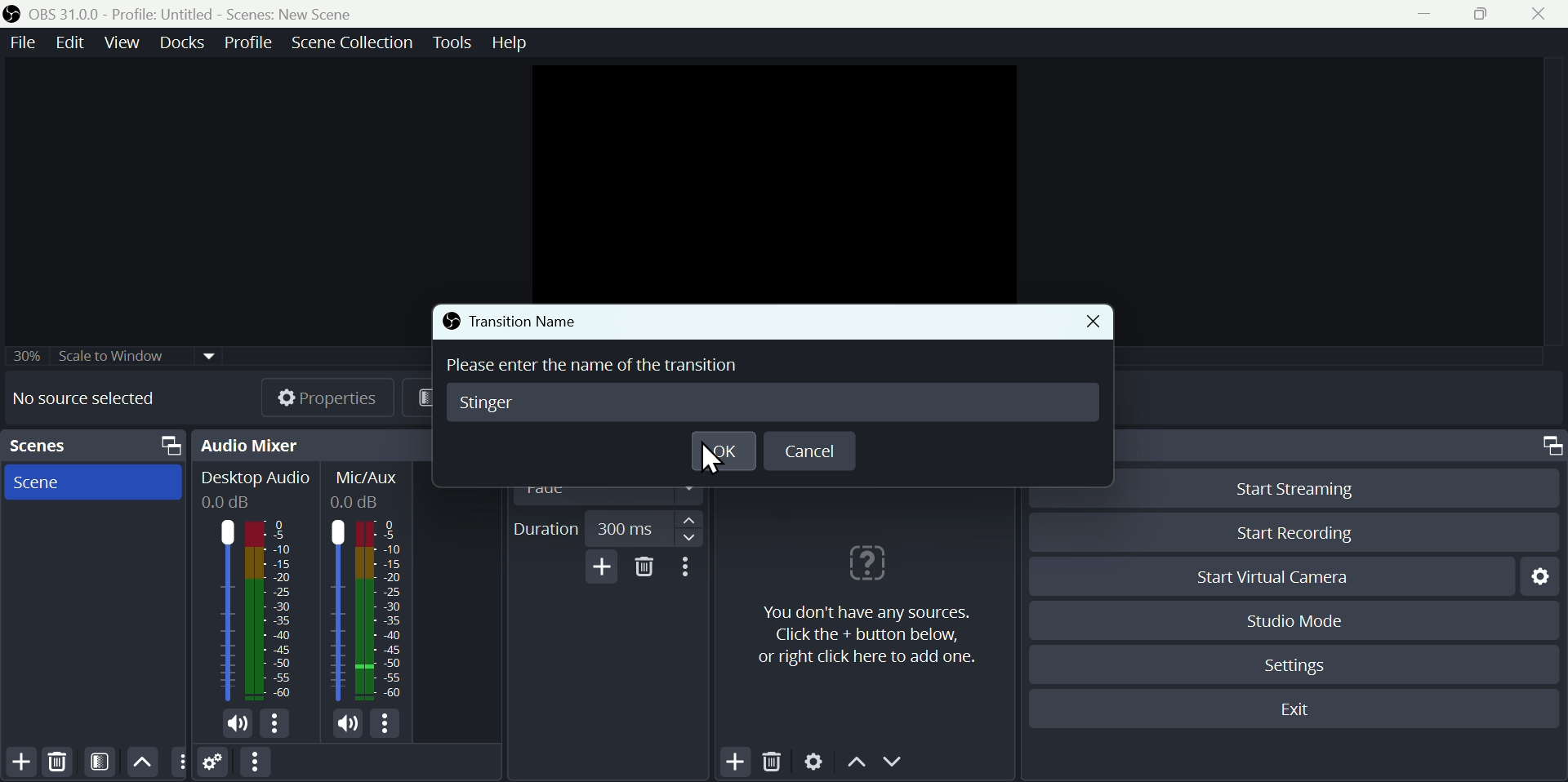 The height and width of the screenshot is (782, 1568). What do you see at coordinates (96, 398) in the screenshot?
I see `No source selected` at bounding box center [96, 398].